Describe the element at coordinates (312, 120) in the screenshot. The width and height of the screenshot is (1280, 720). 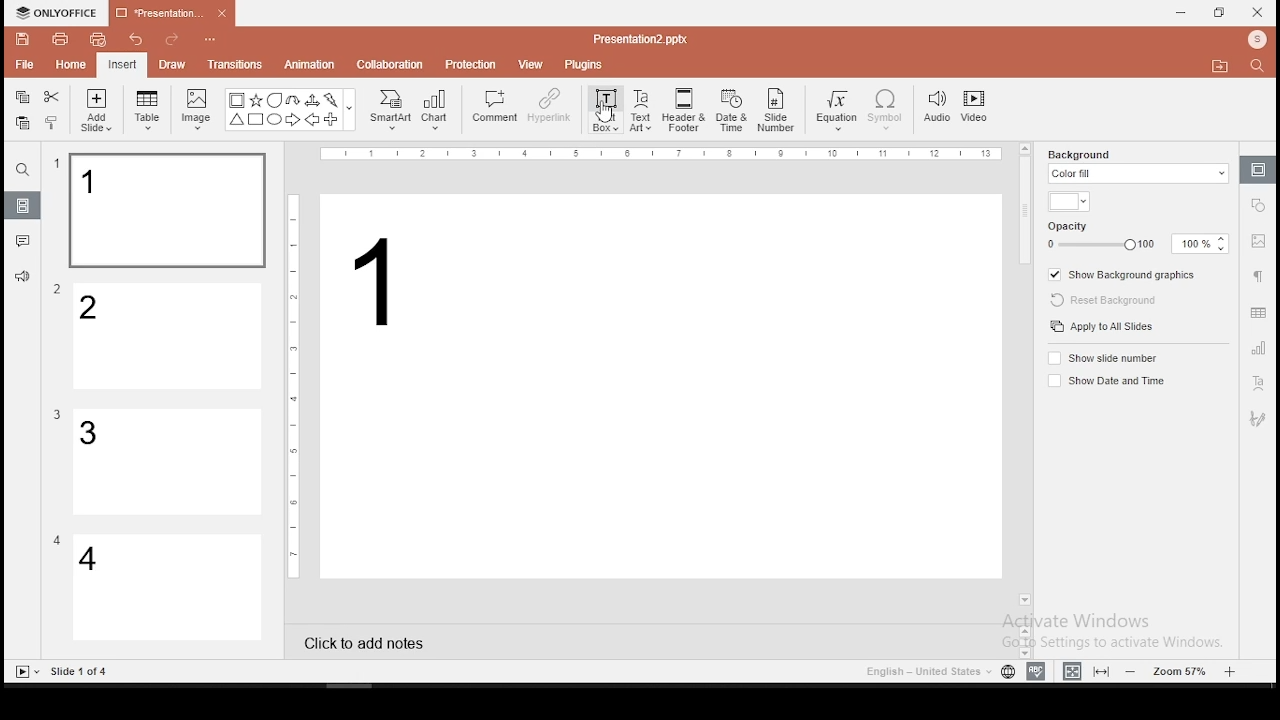
I see `Arrow Left` at that location.